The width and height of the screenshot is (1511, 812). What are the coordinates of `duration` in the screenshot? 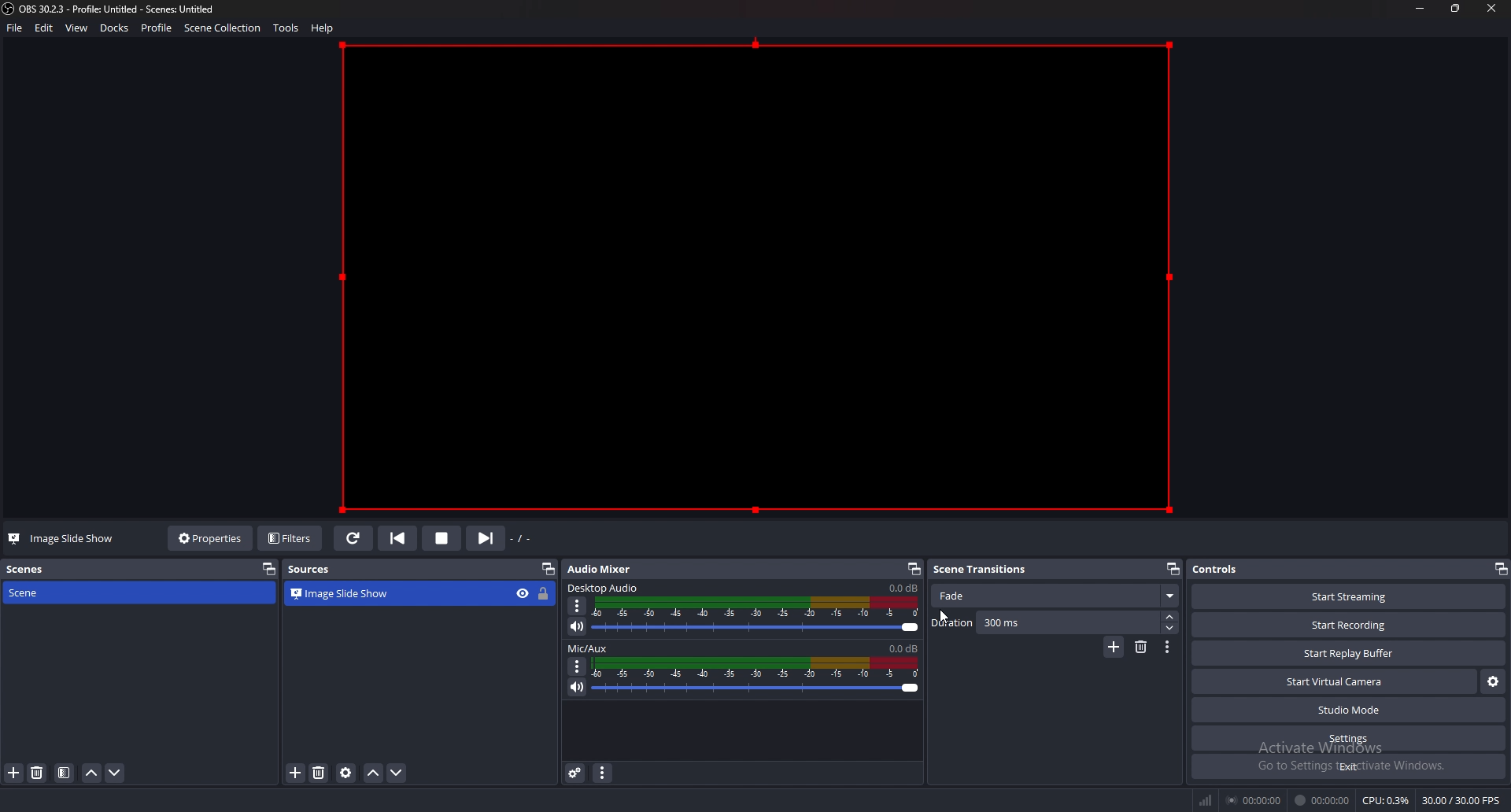 It's located at (1044, 623).